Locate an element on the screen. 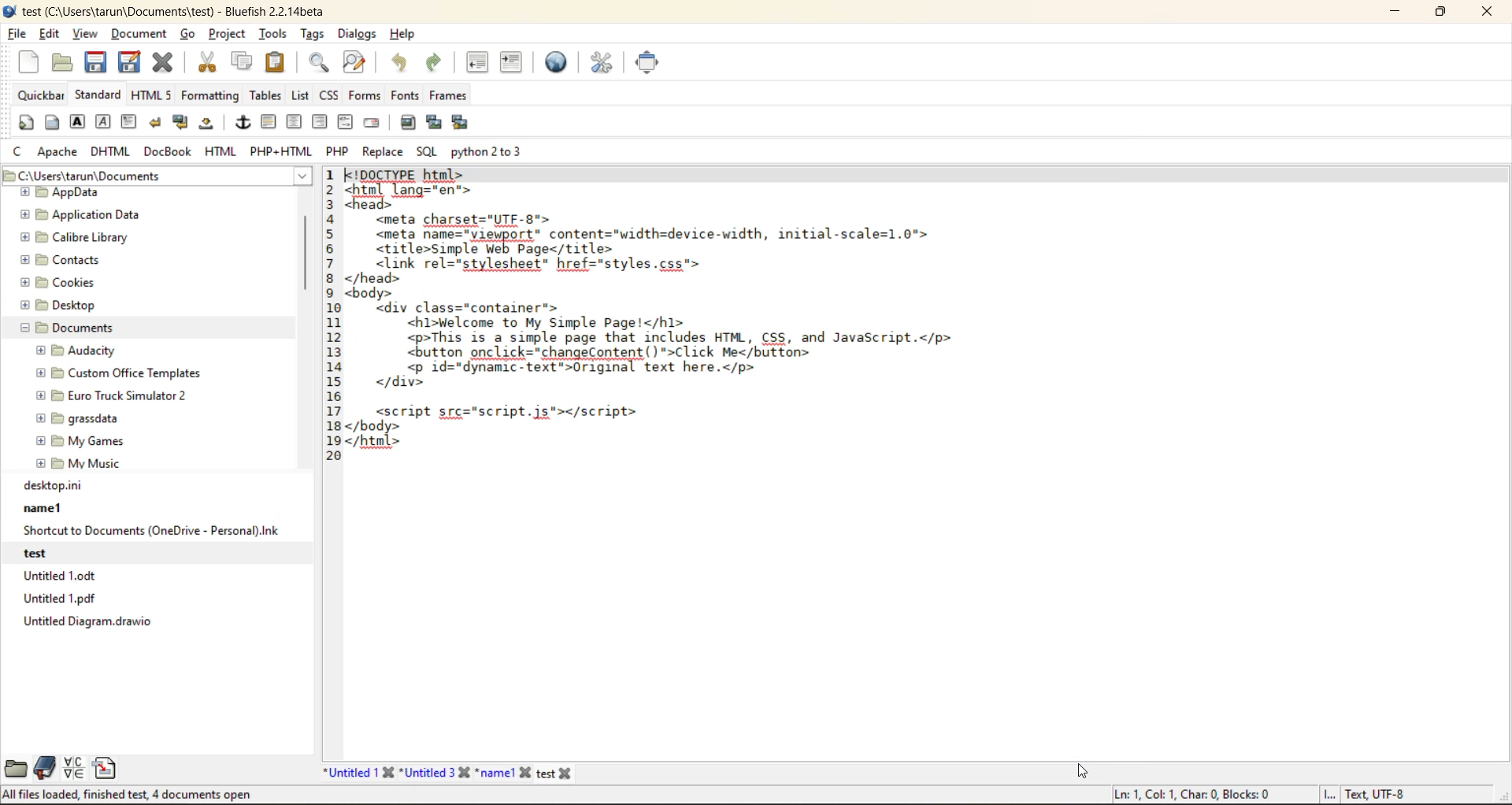 The height and width of the screenshot is (805, 1512). list is located at coordinates (301, 96).